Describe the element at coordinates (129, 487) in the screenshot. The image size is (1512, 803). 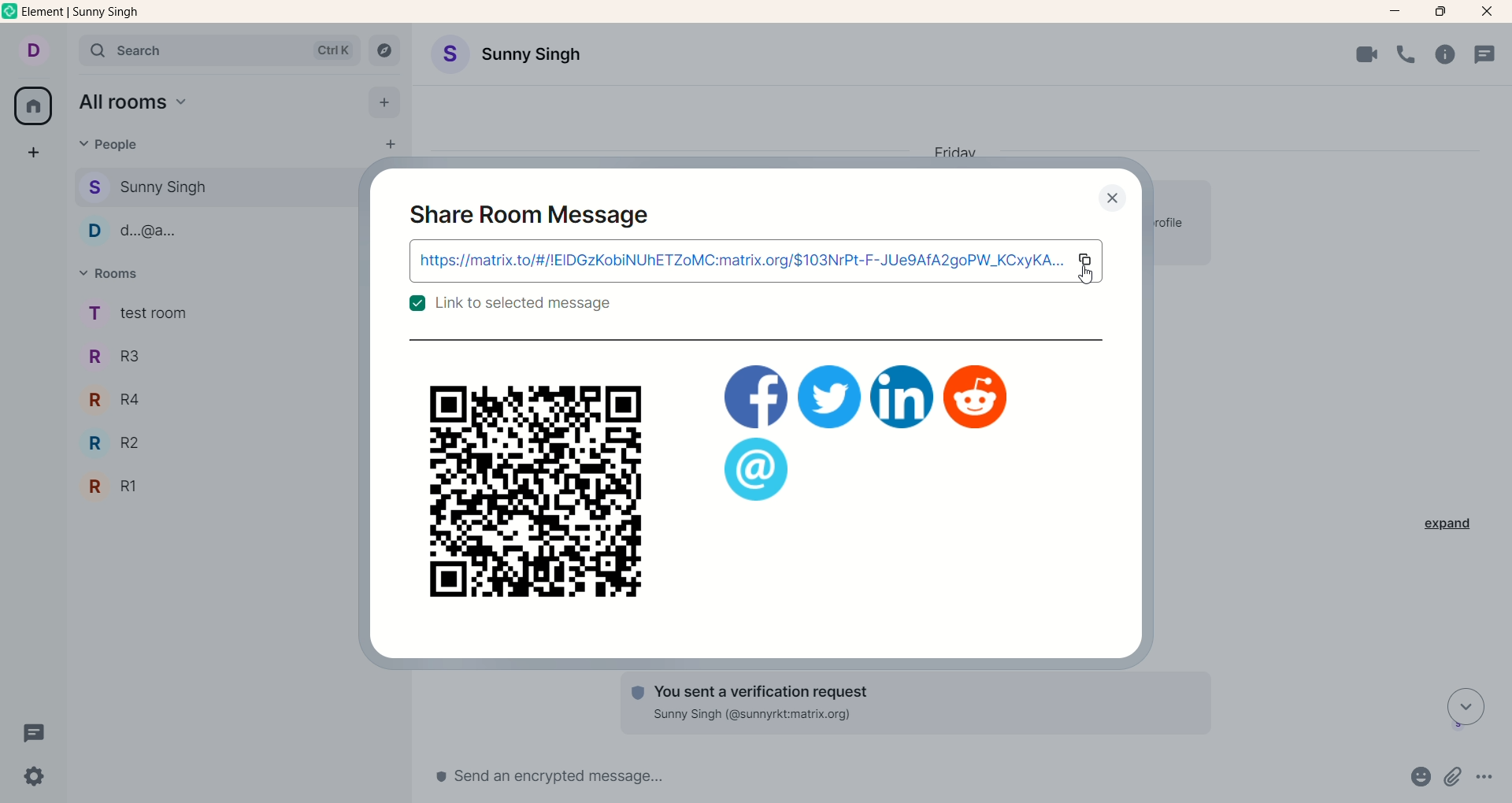
I see `R1` at that location.